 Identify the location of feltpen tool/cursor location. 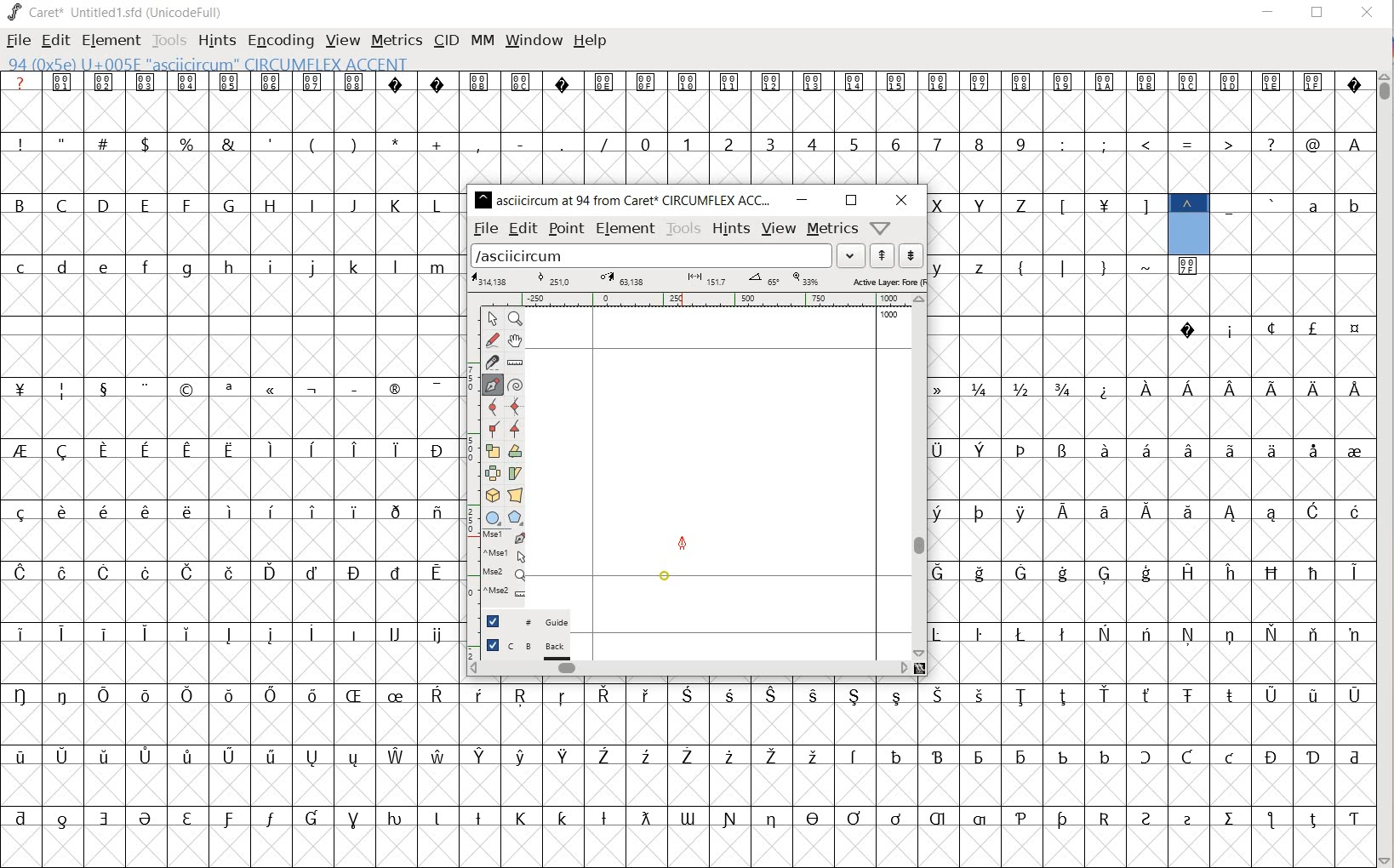
(683, 545).